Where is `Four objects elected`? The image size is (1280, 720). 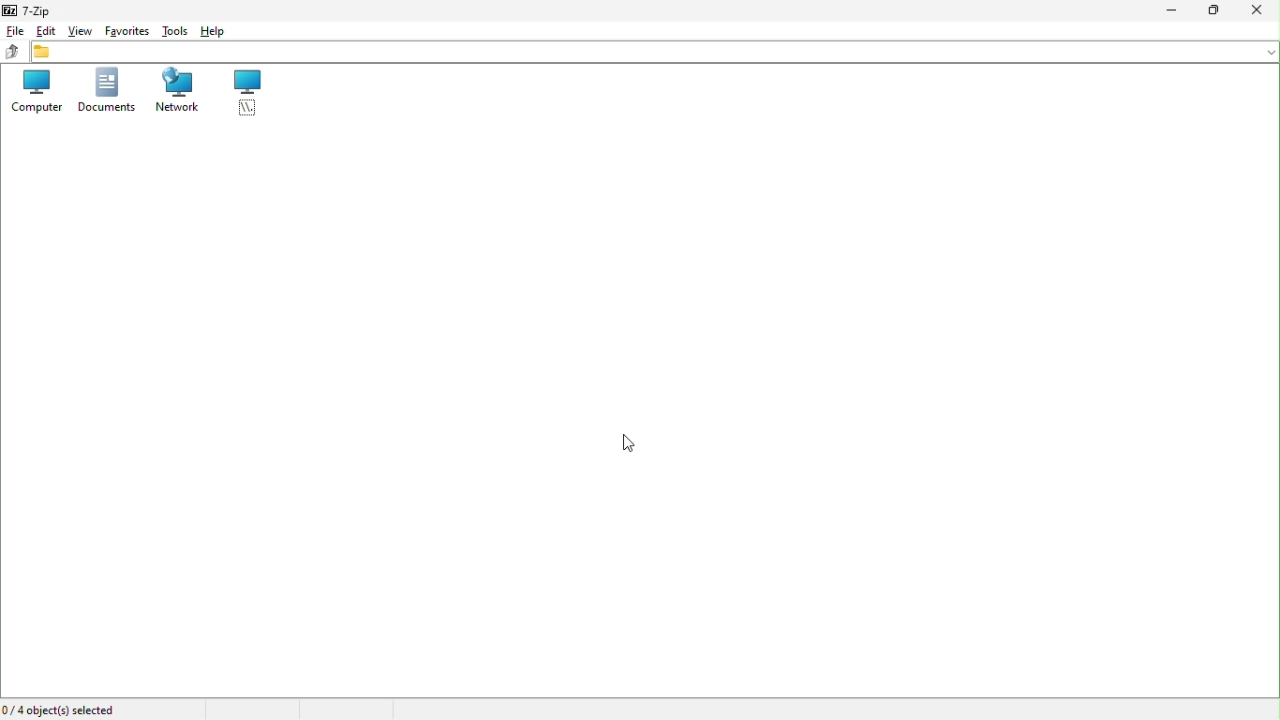 Four objects elected is located at coordinates (63, 709).